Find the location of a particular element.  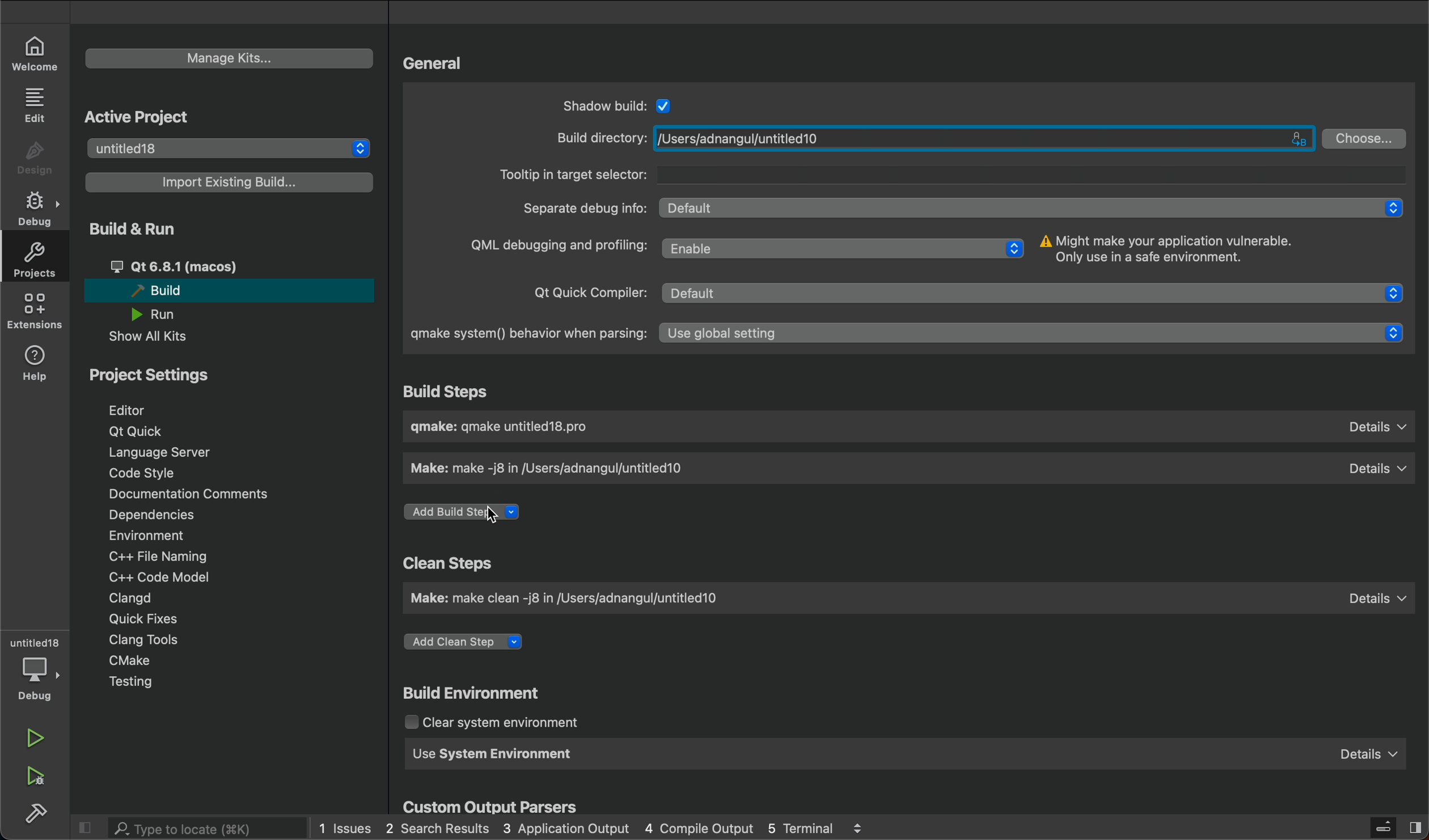

Build Steps is located at coordinates (450, 390).